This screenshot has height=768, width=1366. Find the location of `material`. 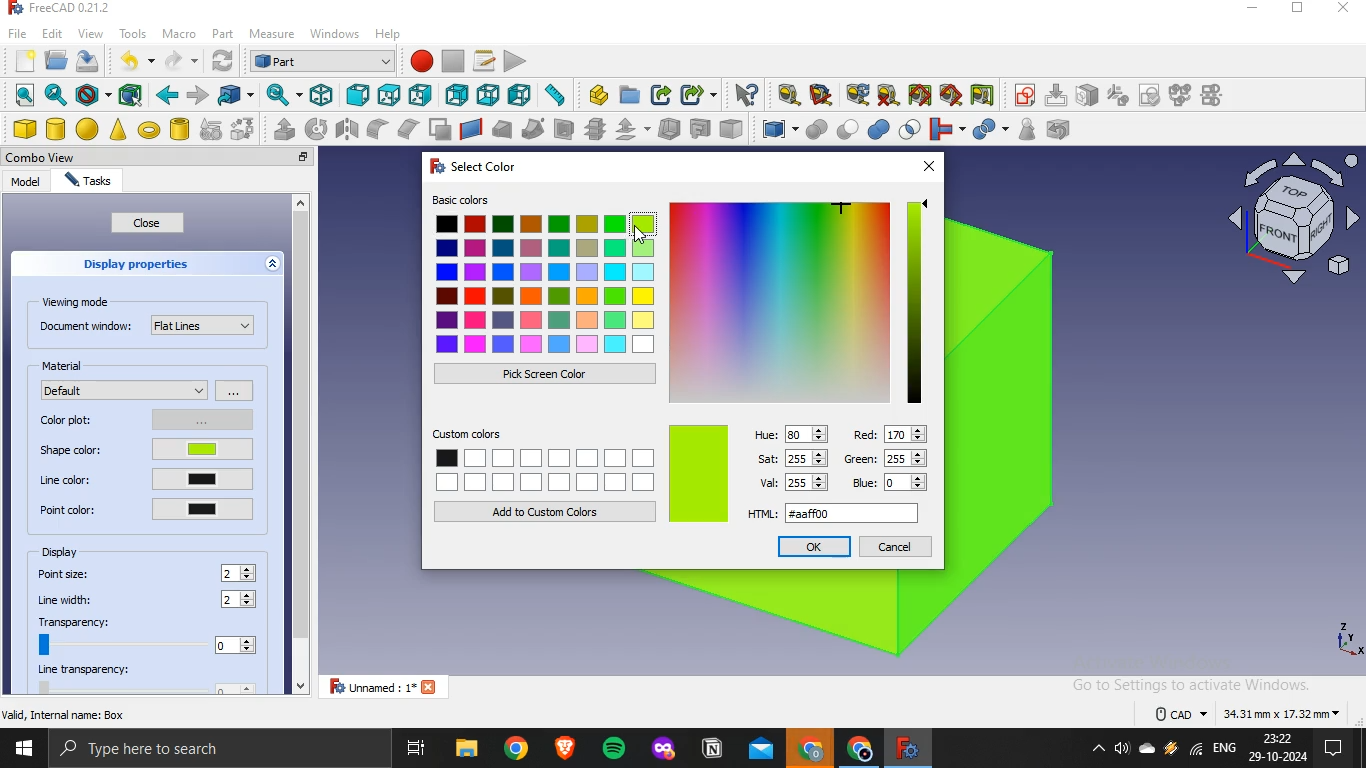

material is located at coordinates (66, 365).